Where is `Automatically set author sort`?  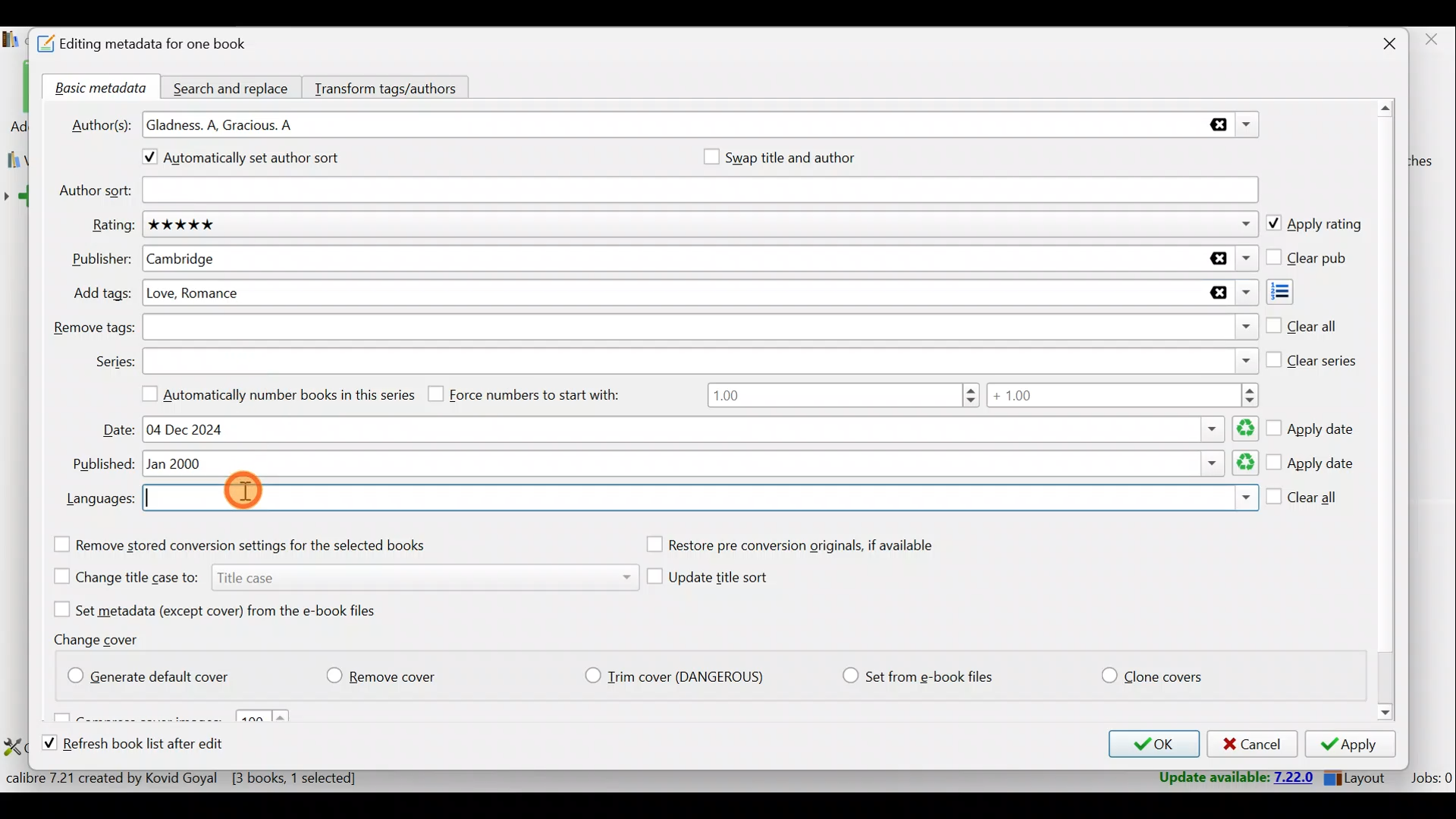 Automatically set author sort is located at coordinates (253, 160).